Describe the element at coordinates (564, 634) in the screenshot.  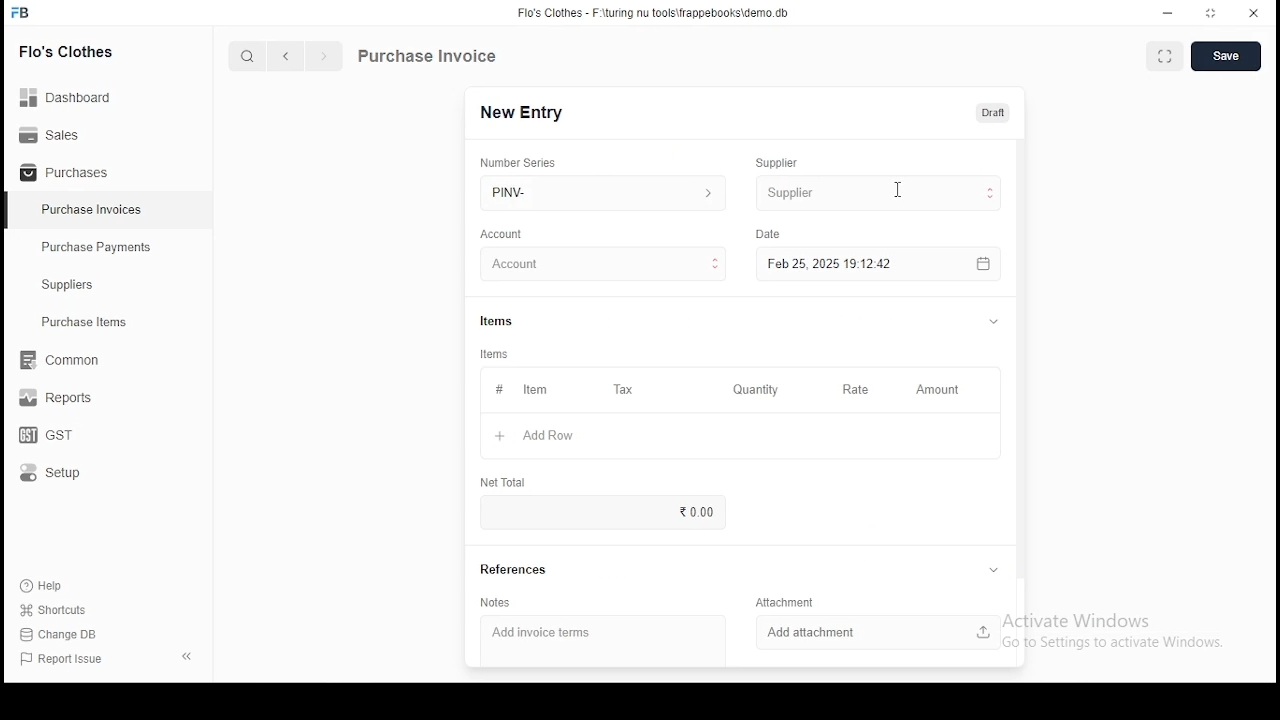
I see `add invoice items` at that location.